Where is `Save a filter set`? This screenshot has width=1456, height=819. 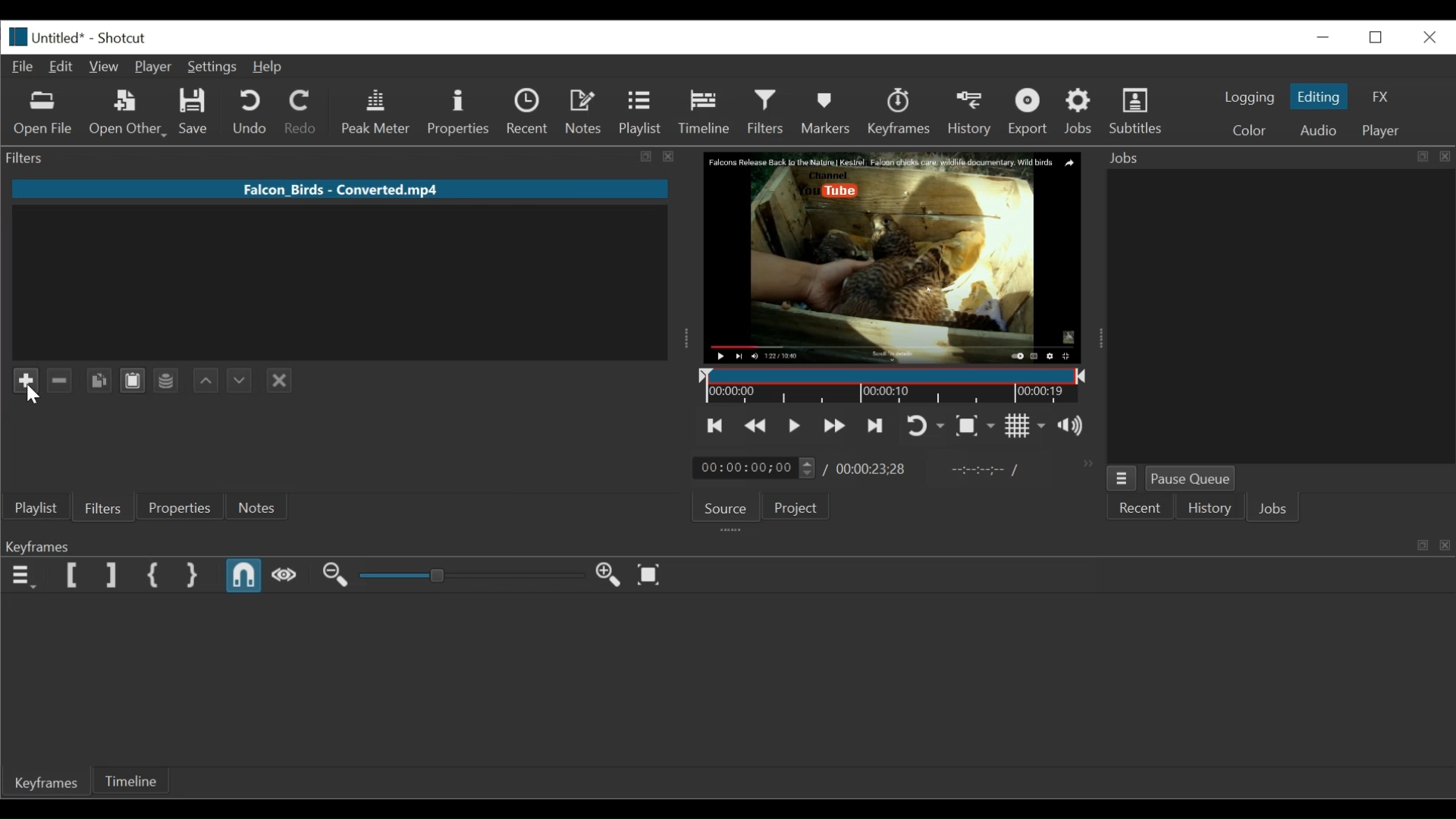 Save a filter set is located at coordinates (166, 380).